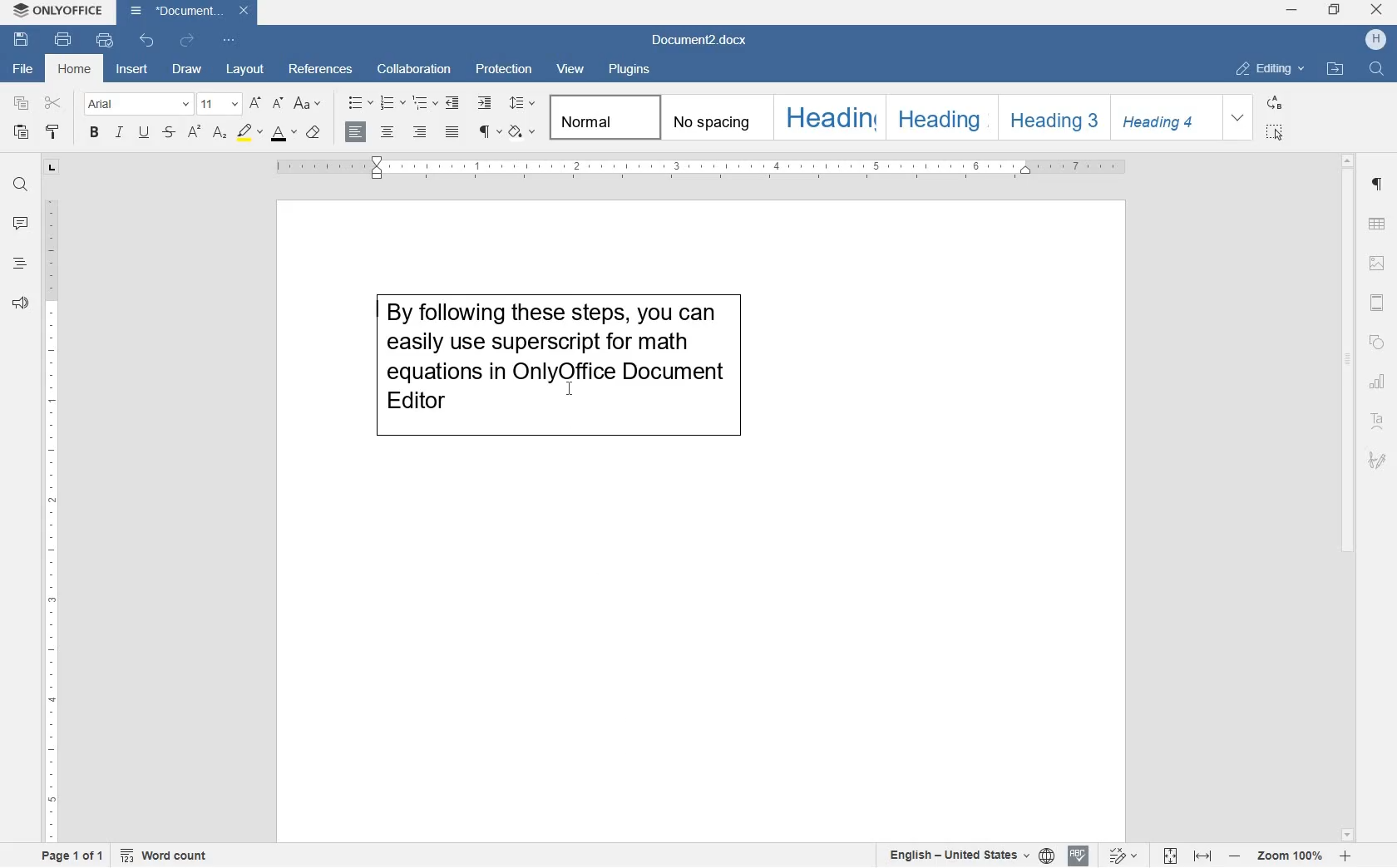  I want to click on HP, so click(1375, 38).